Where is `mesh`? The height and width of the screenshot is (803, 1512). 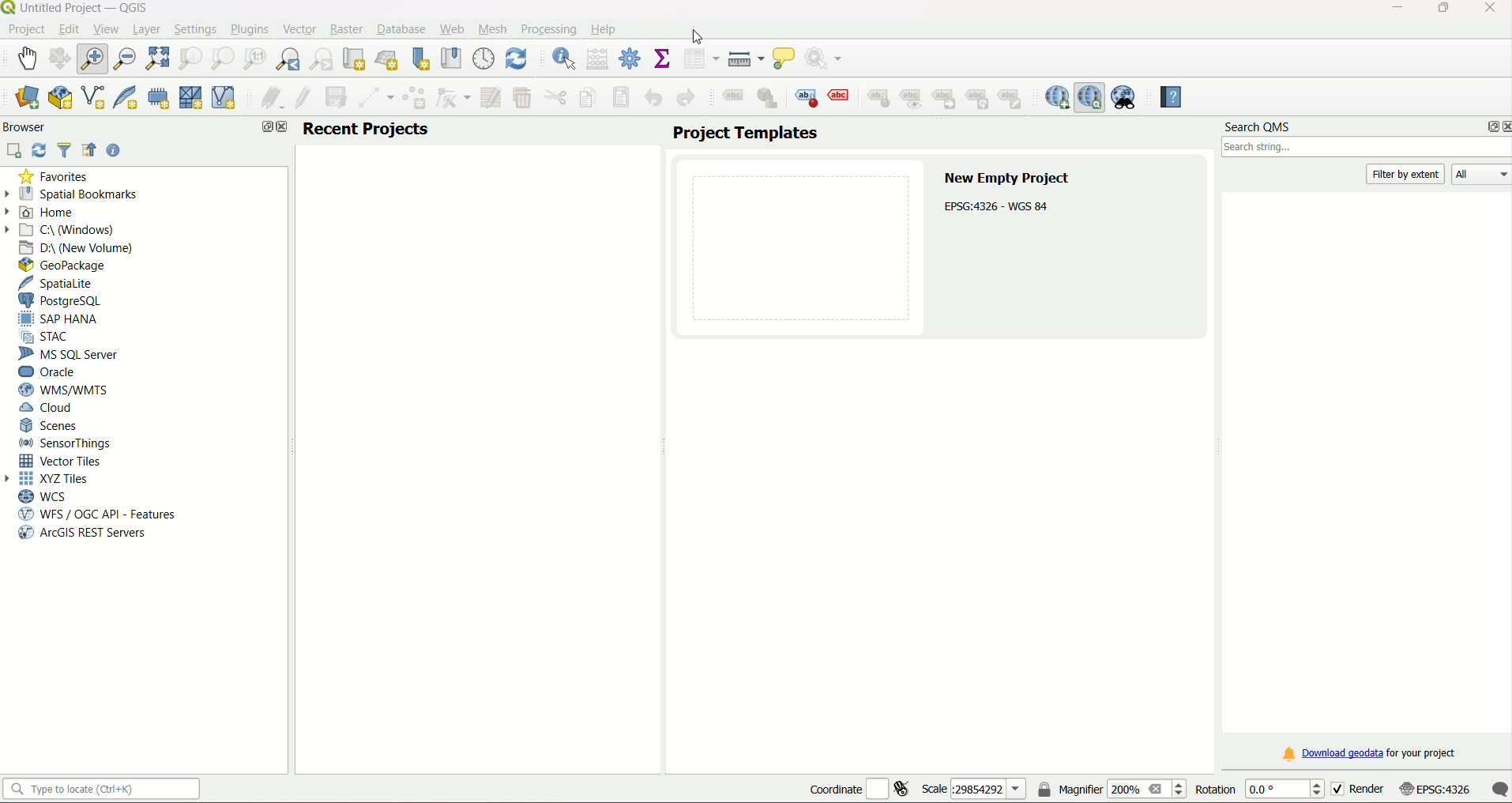 mesh is located at coordinates (494, 28).